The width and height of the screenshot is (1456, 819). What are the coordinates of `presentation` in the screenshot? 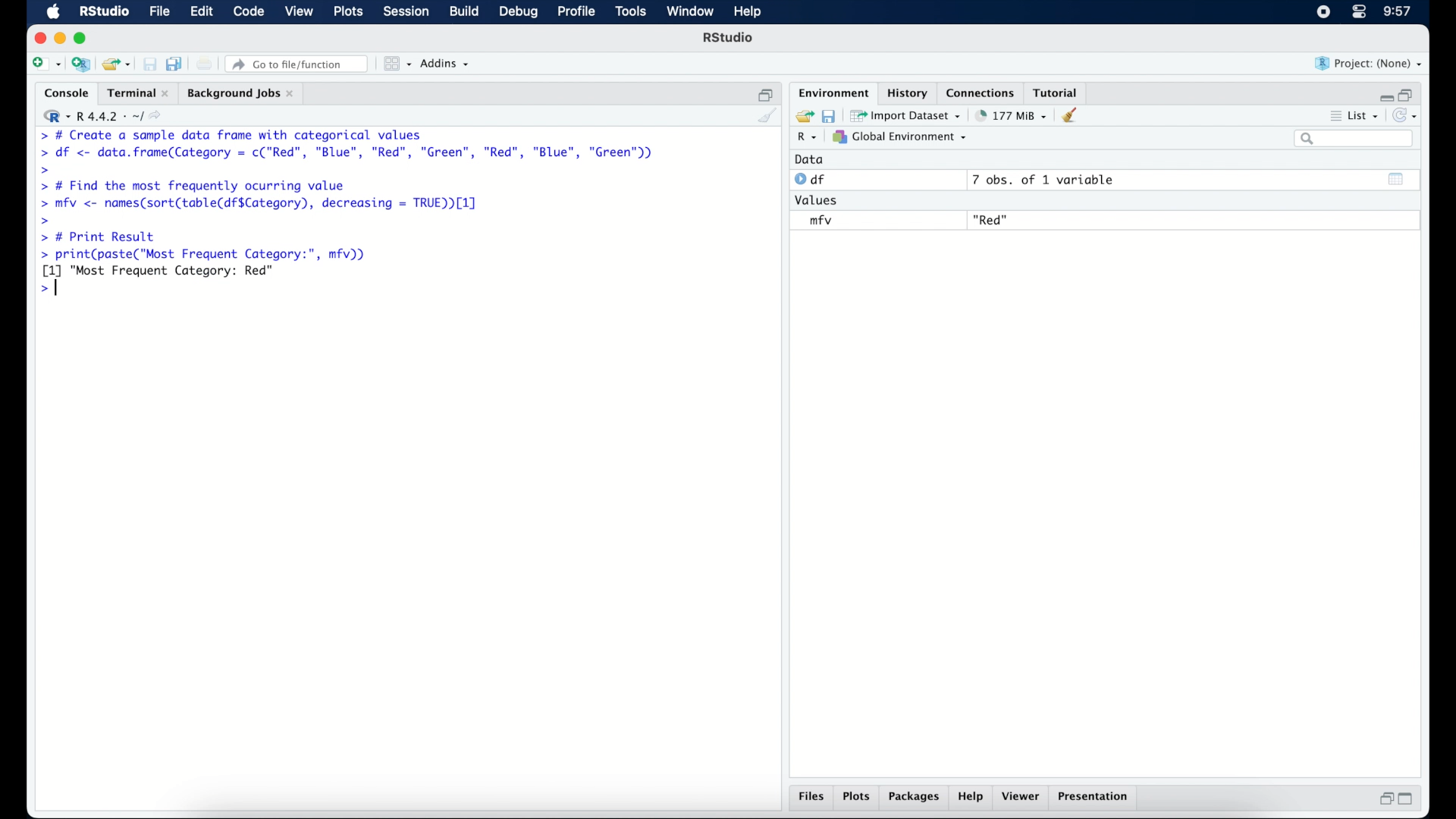 It's located at (1097, 798).